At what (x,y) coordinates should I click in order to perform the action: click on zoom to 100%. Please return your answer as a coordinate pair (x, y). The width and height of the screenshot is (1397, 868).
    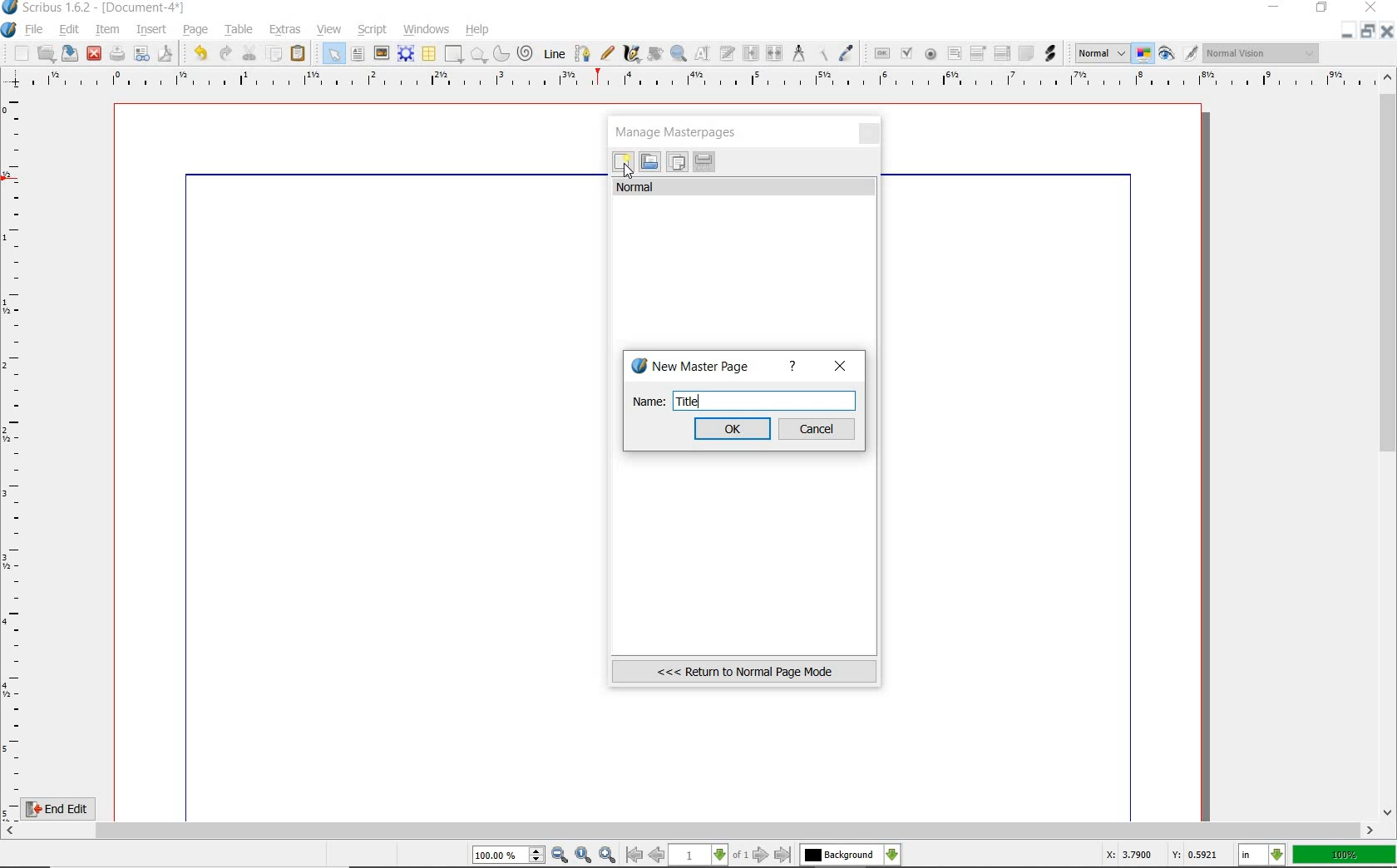
    Looking at the image, I should click on (585, 856).